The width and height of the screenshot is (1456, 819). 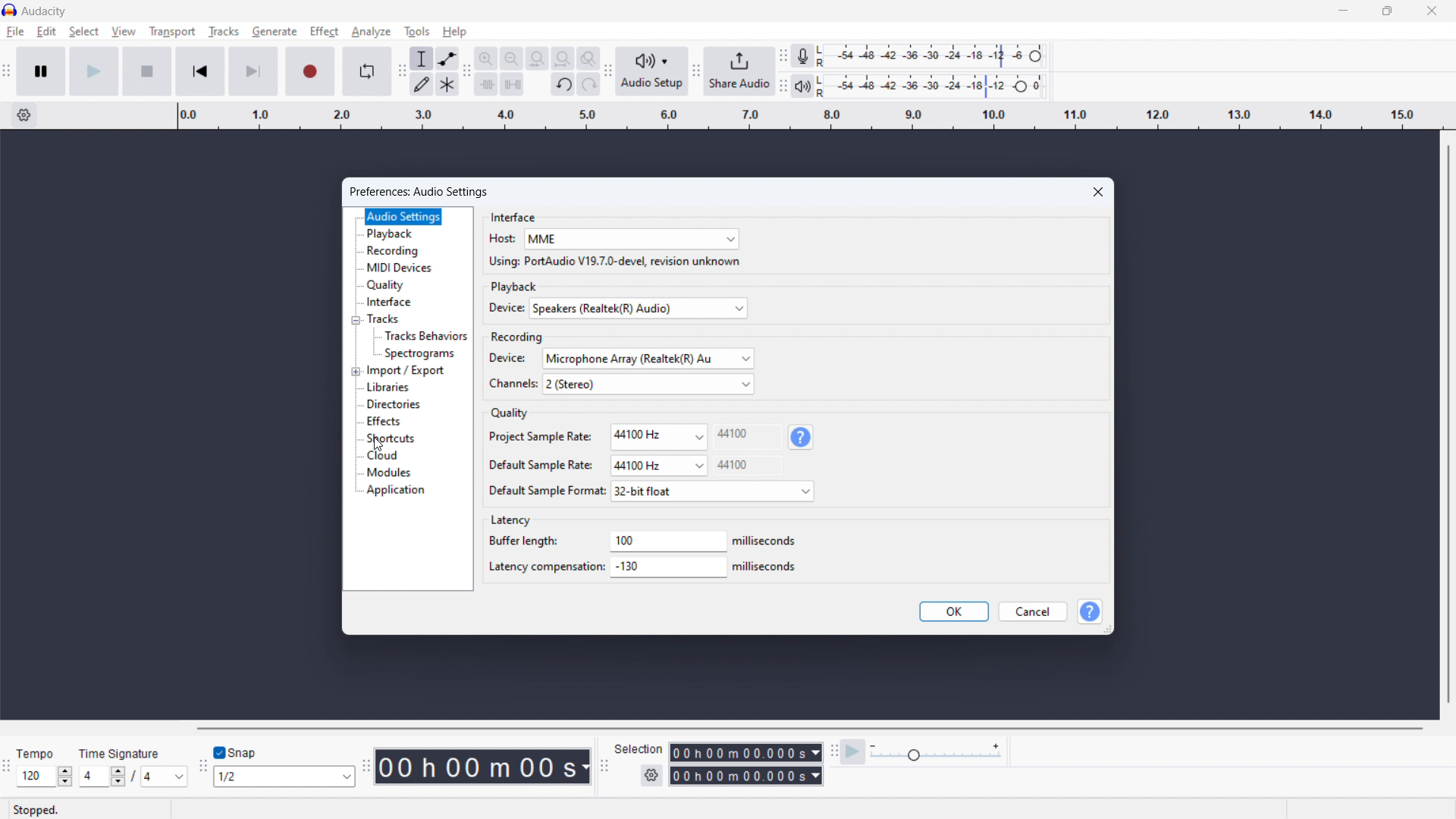 I want to click on draw tool, so click(x=422, y=83).